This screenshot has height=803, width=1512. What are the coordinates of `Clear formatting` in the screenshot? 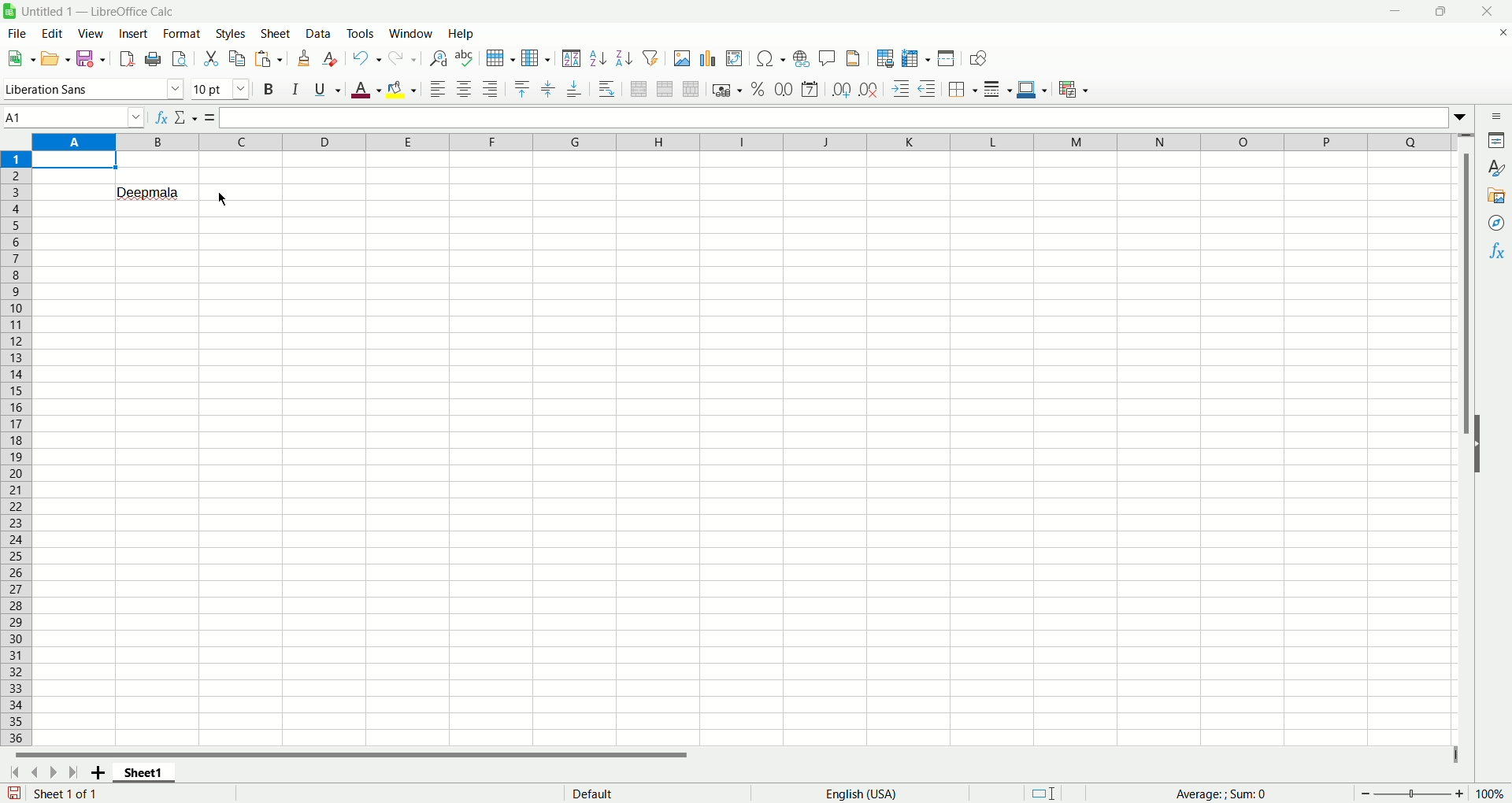 It's located at (332, 58).